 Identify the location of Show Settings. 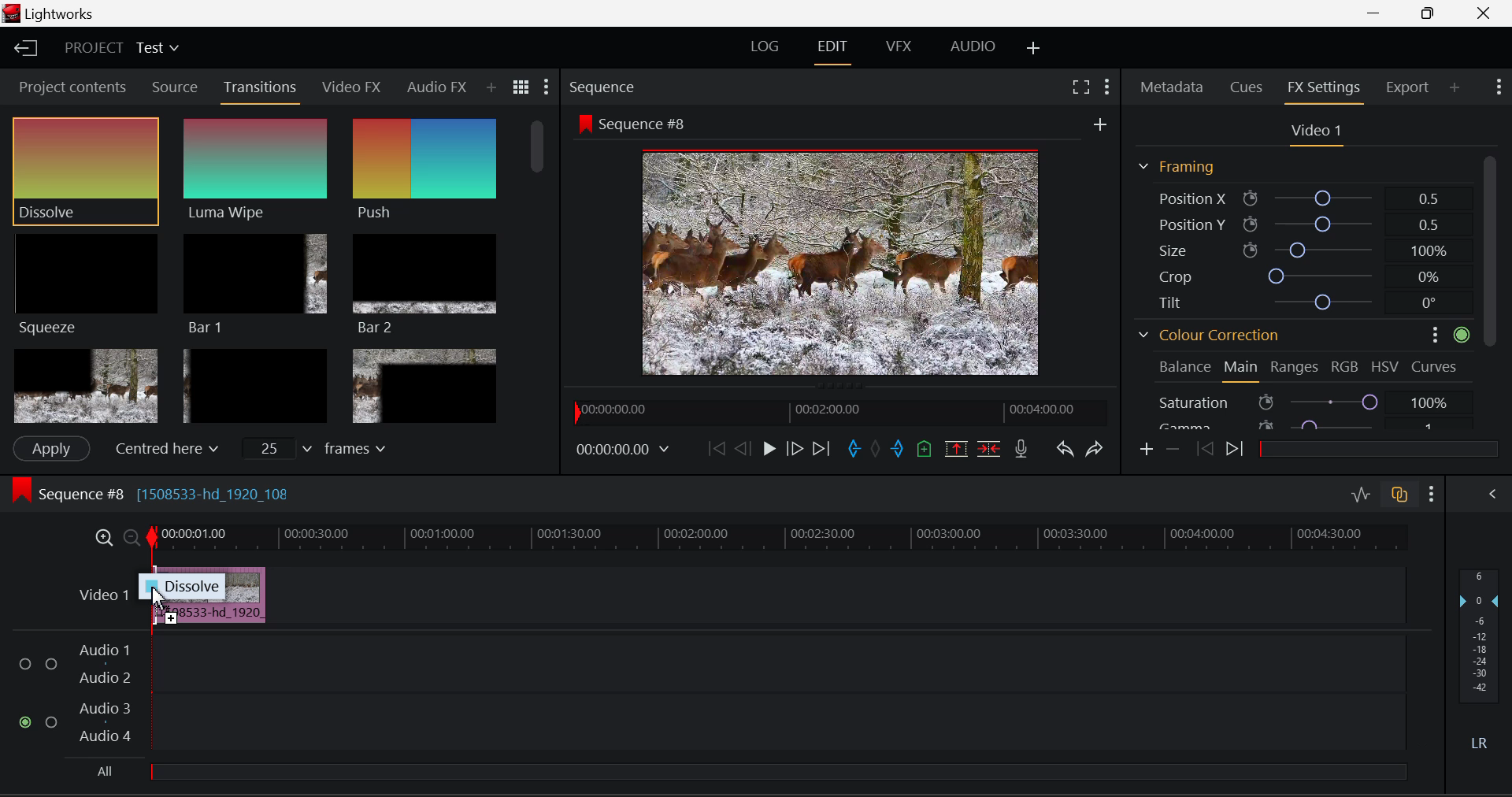
(547, 87).